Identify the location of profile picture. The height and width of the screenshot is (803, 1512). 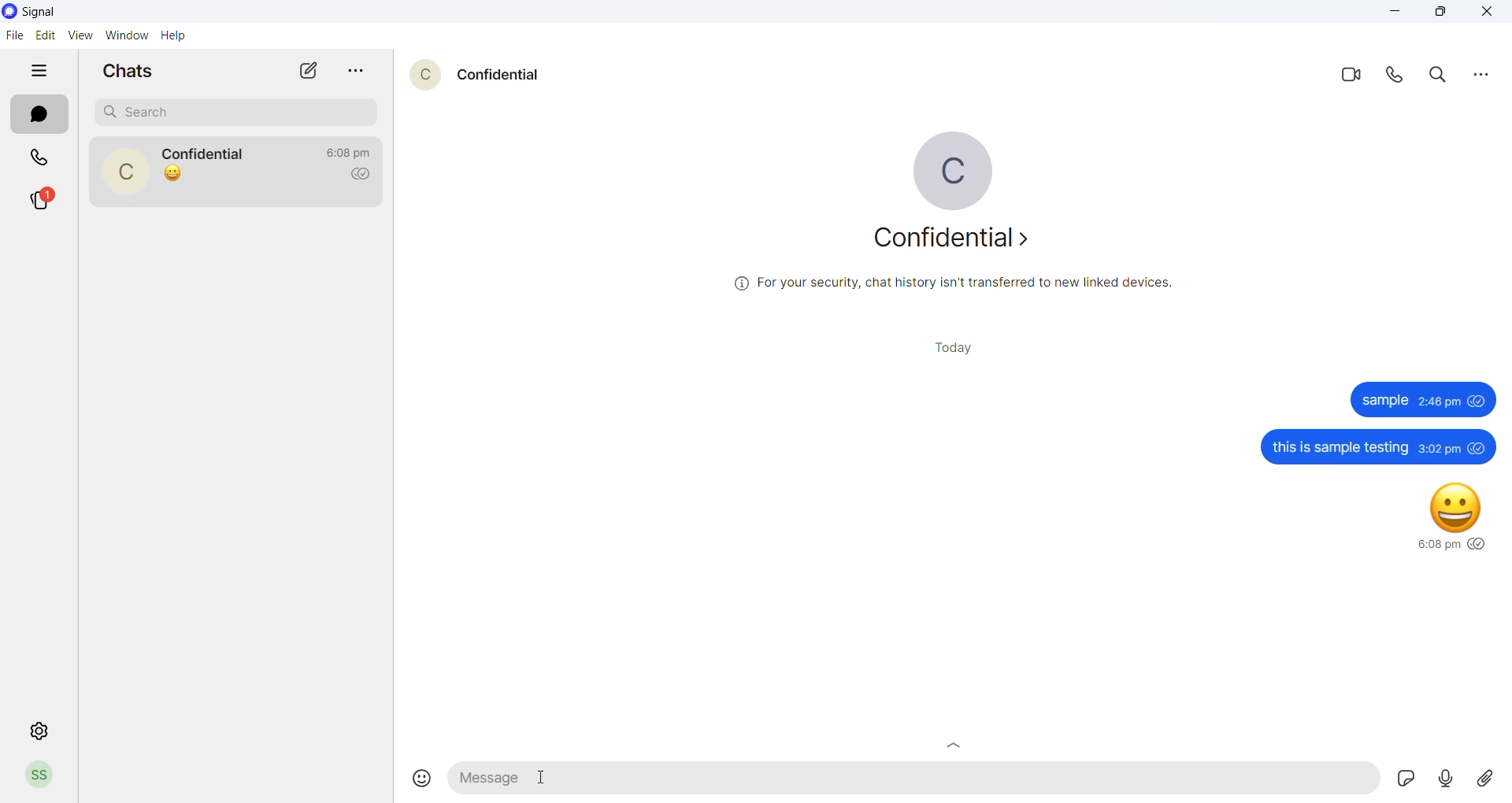
(951, 168).